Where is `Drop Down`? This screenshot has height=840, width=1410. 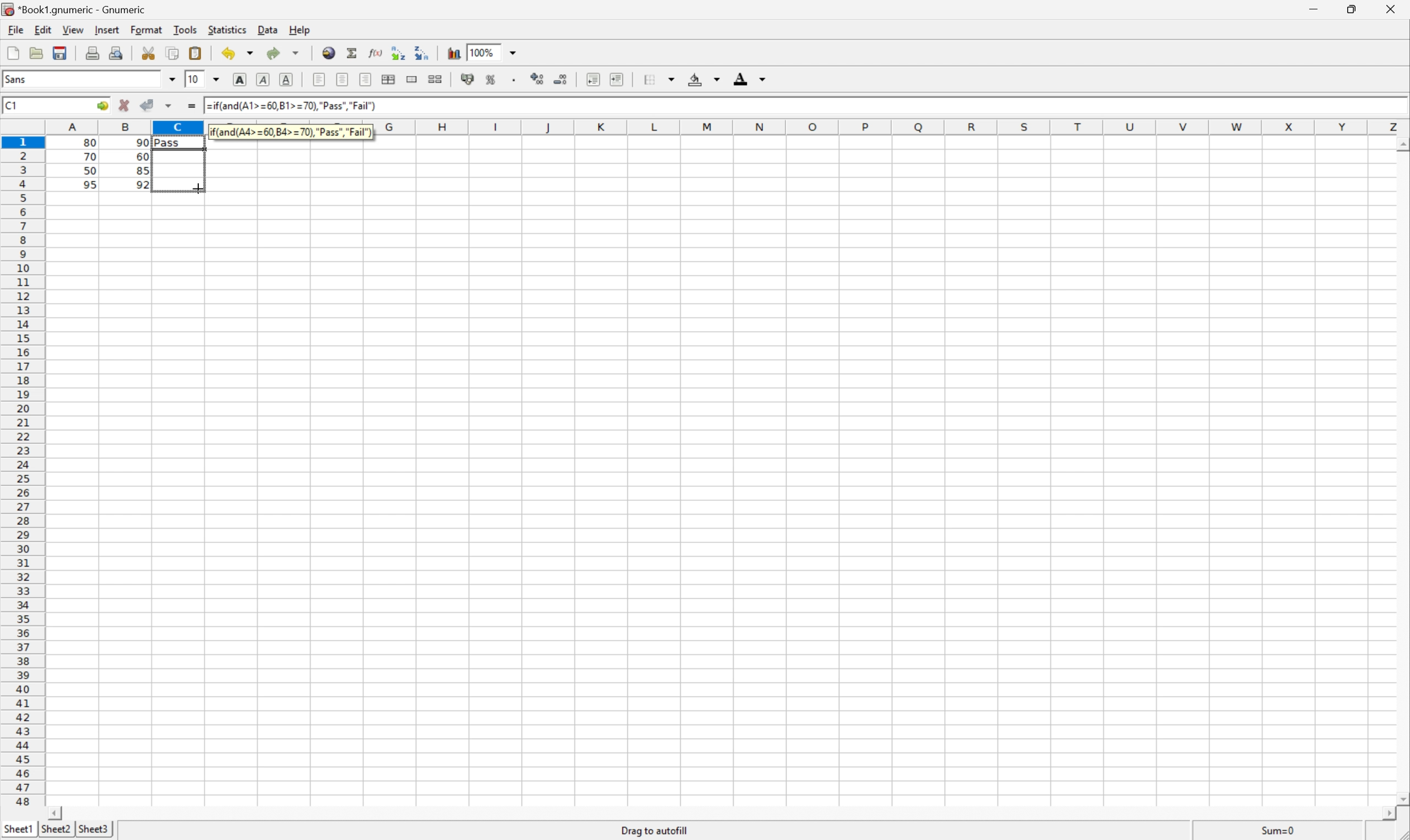
Drop Down is located at coordinates (248, 54).